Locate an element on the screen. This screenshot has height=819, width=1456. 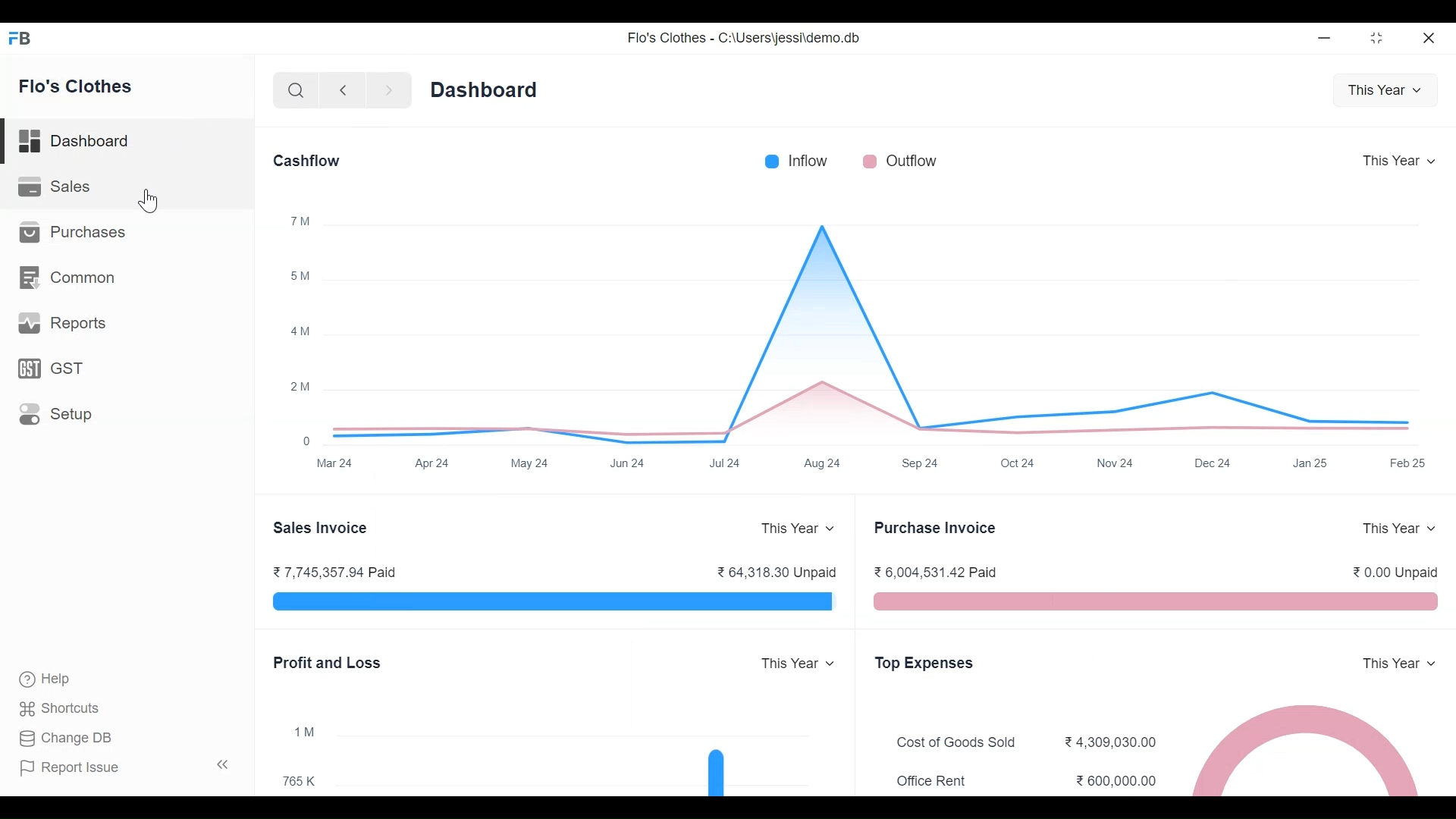
Nov 24 is located at coordinates (1115, 463).